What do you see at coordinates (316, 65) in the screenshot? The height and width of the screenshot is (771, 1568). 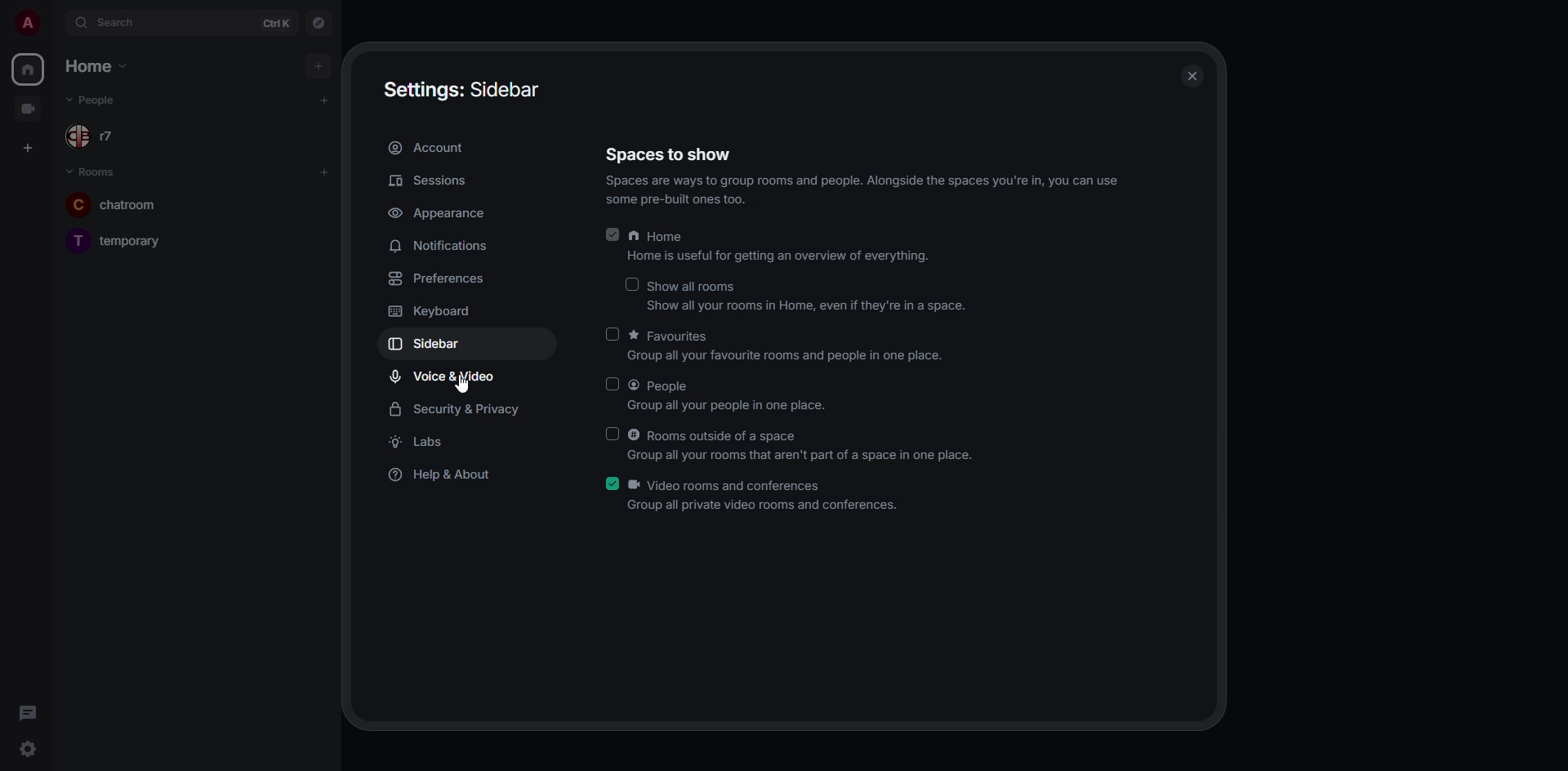 I see `add` at bounding box center [316, 65].